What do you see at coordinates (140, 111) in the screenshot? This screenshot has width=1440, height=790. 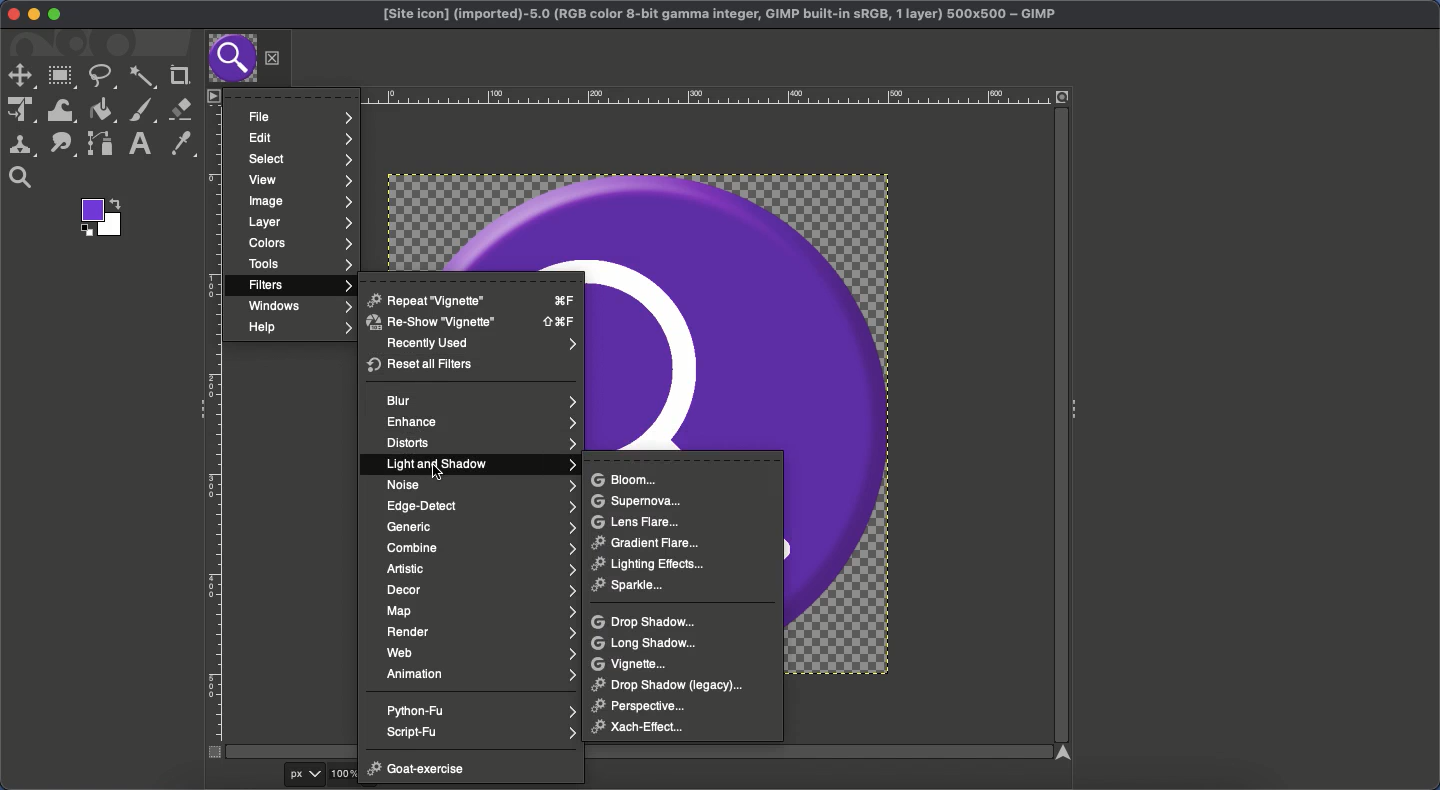 I see `Paint` at bounding box center [140, 111].